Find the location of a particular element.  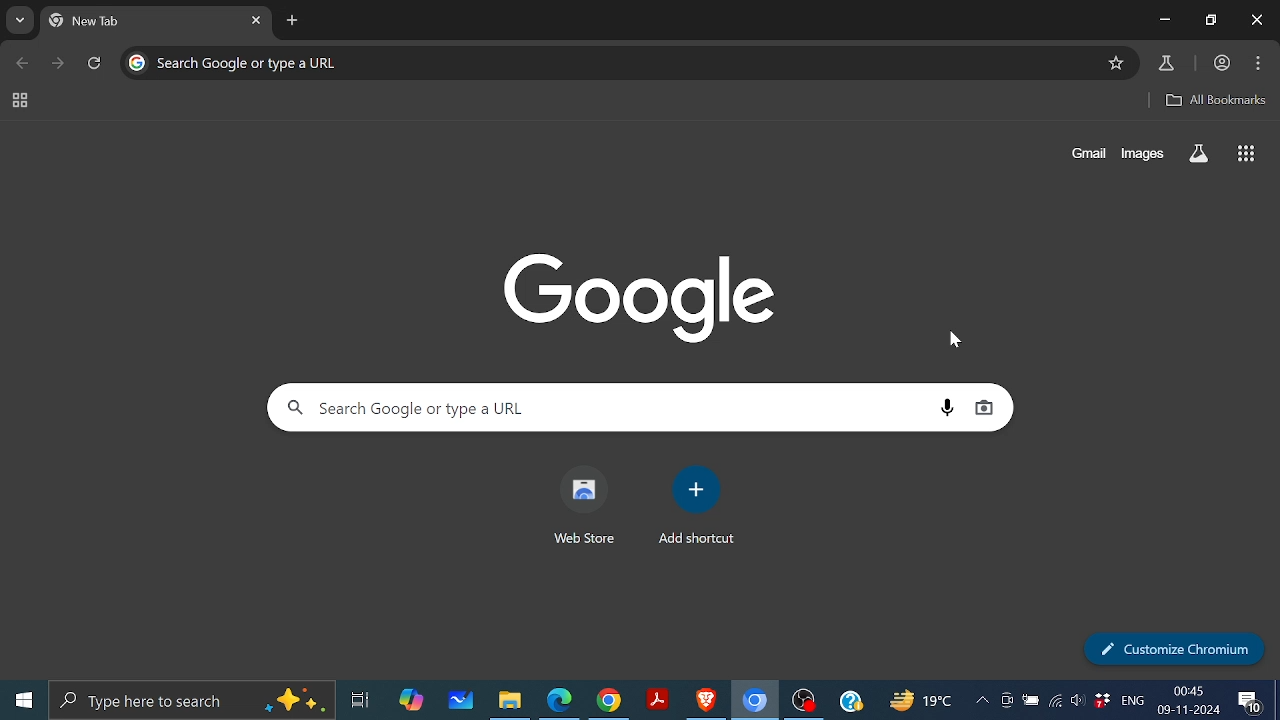

Language is located at coordinates (1133, 698).